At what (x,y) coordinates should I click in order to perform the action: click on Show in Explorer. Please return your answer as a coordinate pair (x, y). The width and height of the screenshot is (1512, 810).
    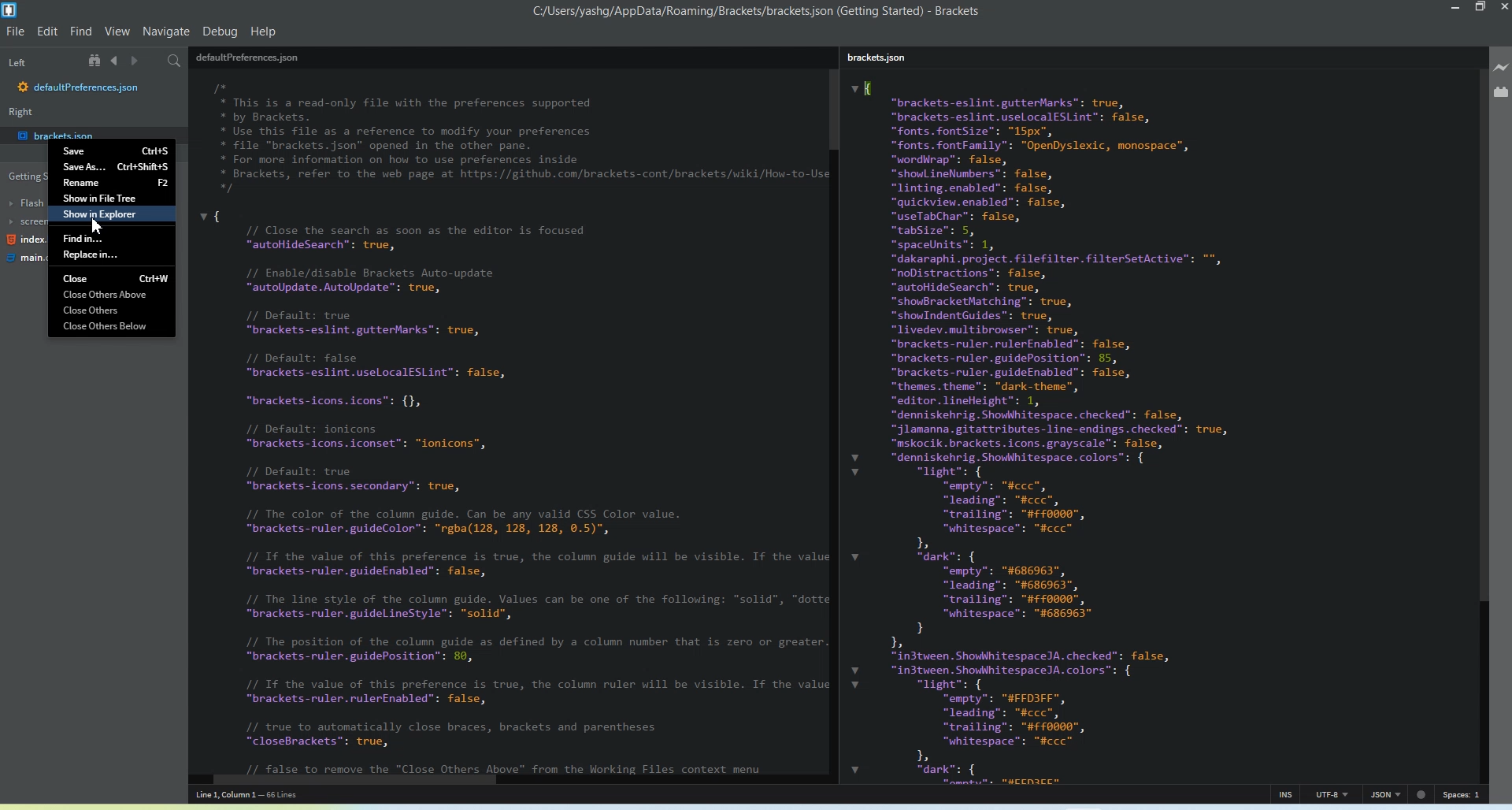
    Looking at the image, I should click on (111, 214).